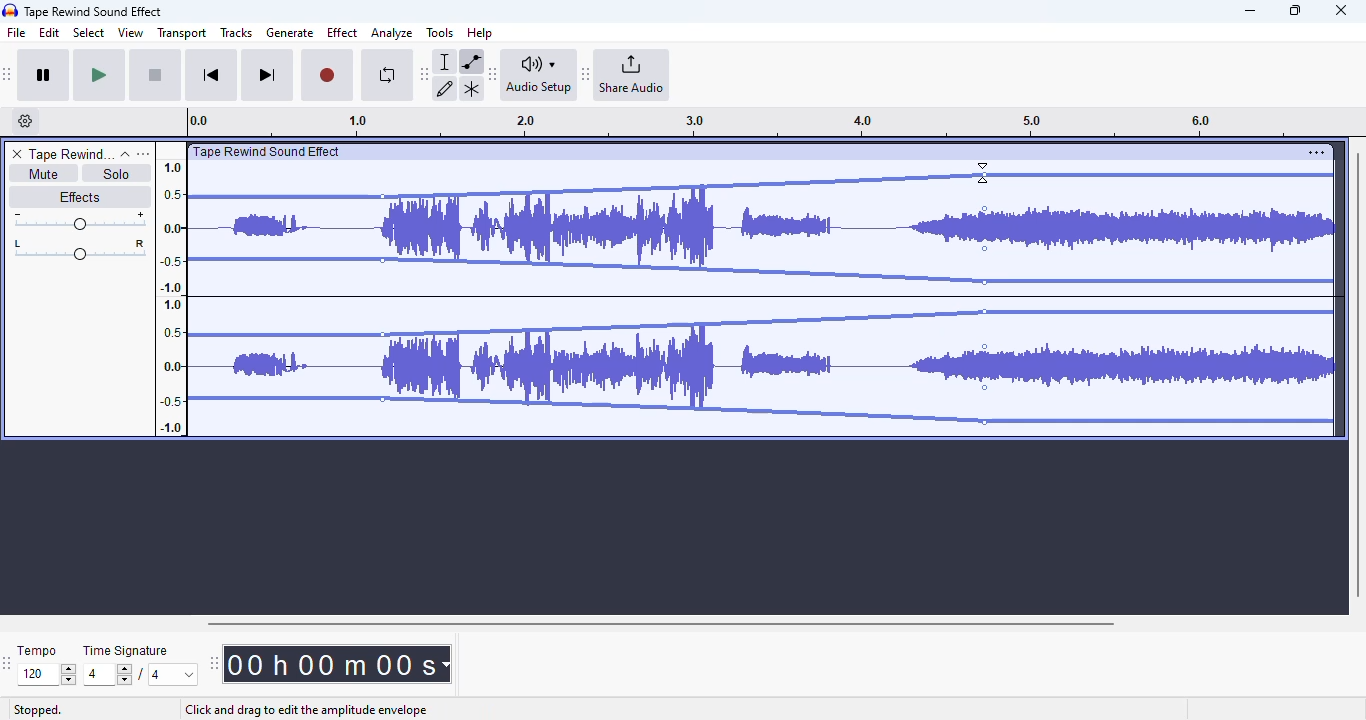  I want to click on skip to end, so click(266, 76).